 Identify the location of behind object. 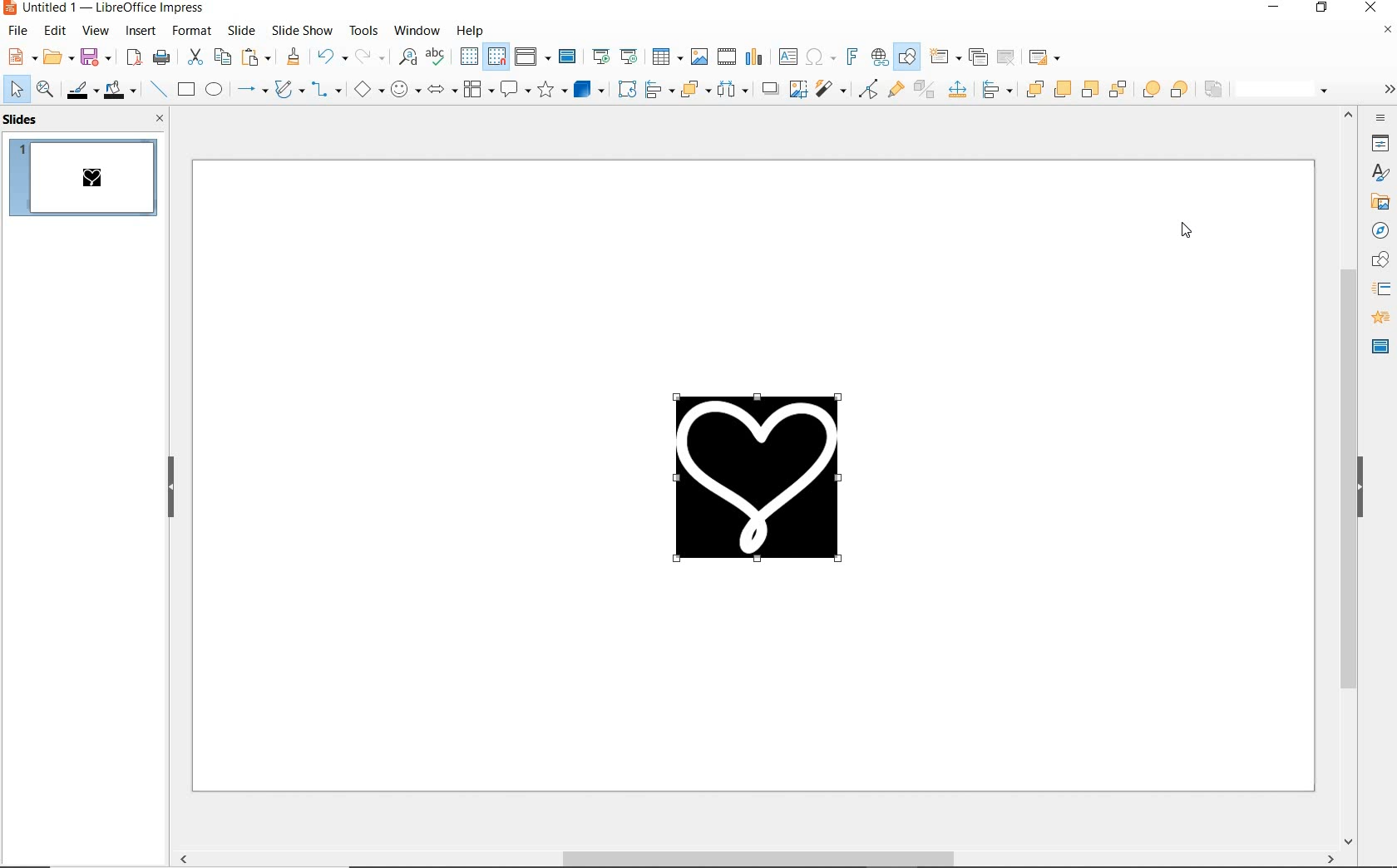
(1181, 89).